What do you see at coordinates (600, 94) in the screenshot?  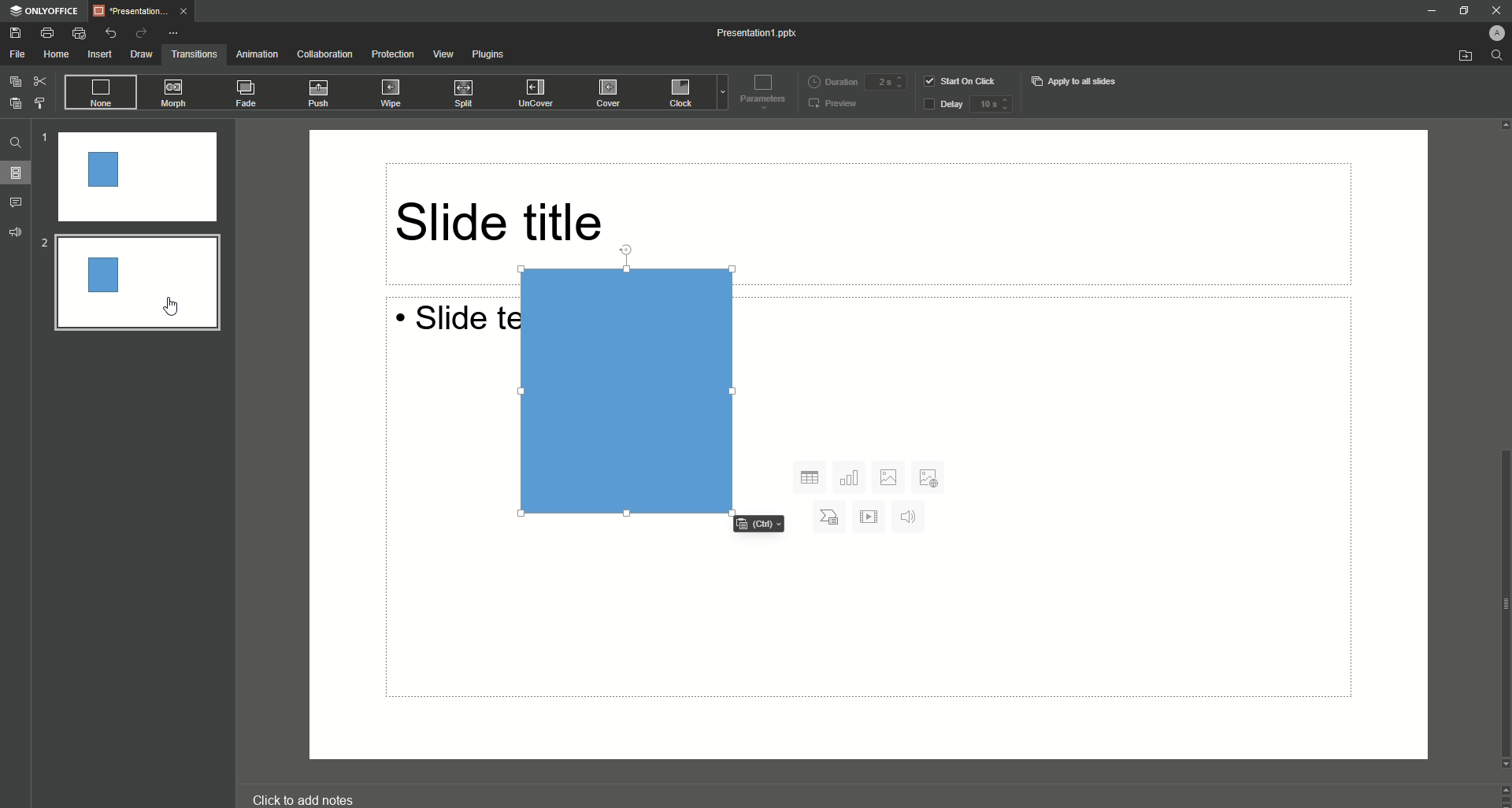 I see `Cover` at bounding box center [600, 94].